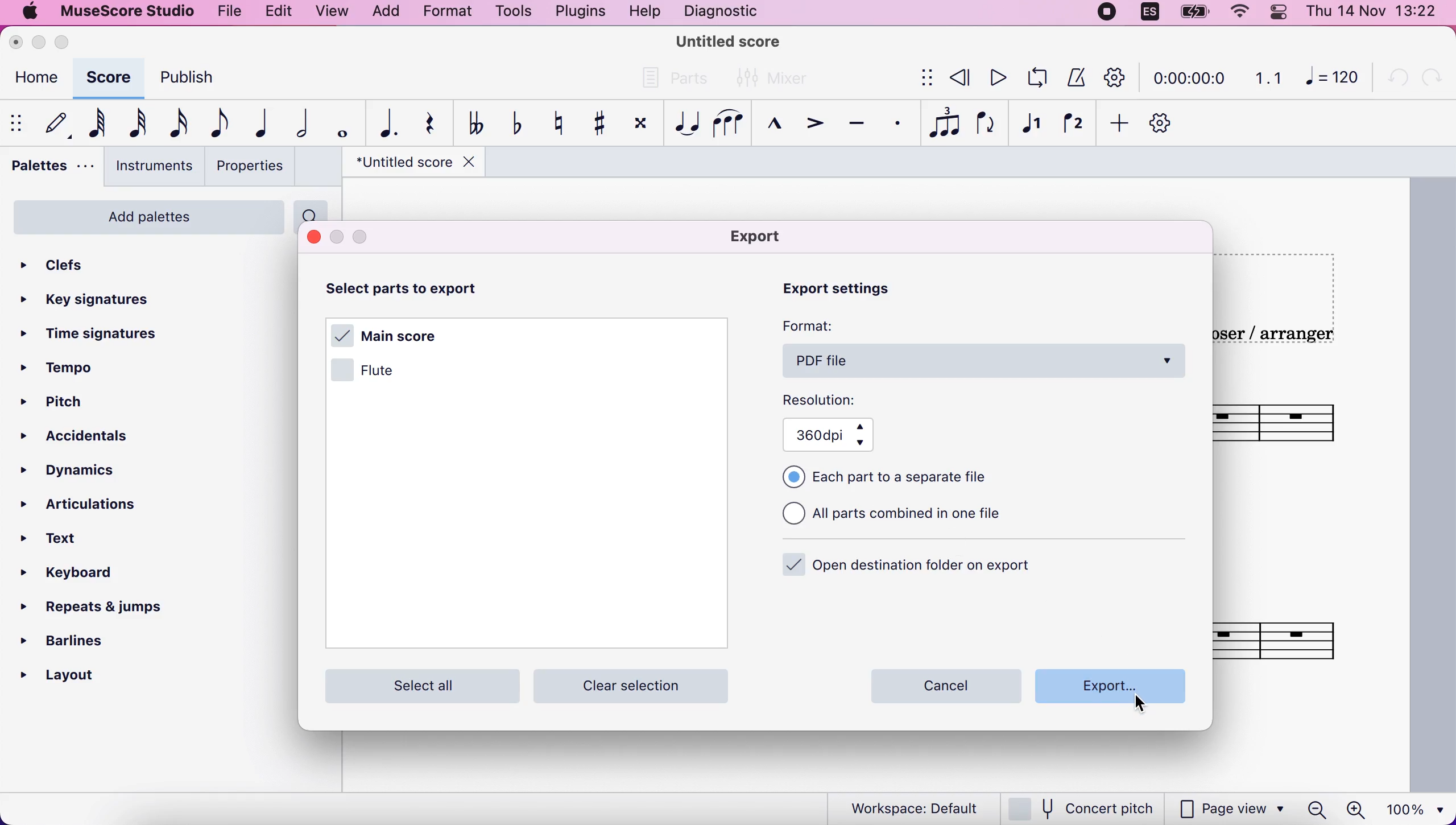 This screenshot has width=1456, height=825. What do you see at coordinates (449, 13) in the screenshot?
I see `format` at bounding box center [449, 13].